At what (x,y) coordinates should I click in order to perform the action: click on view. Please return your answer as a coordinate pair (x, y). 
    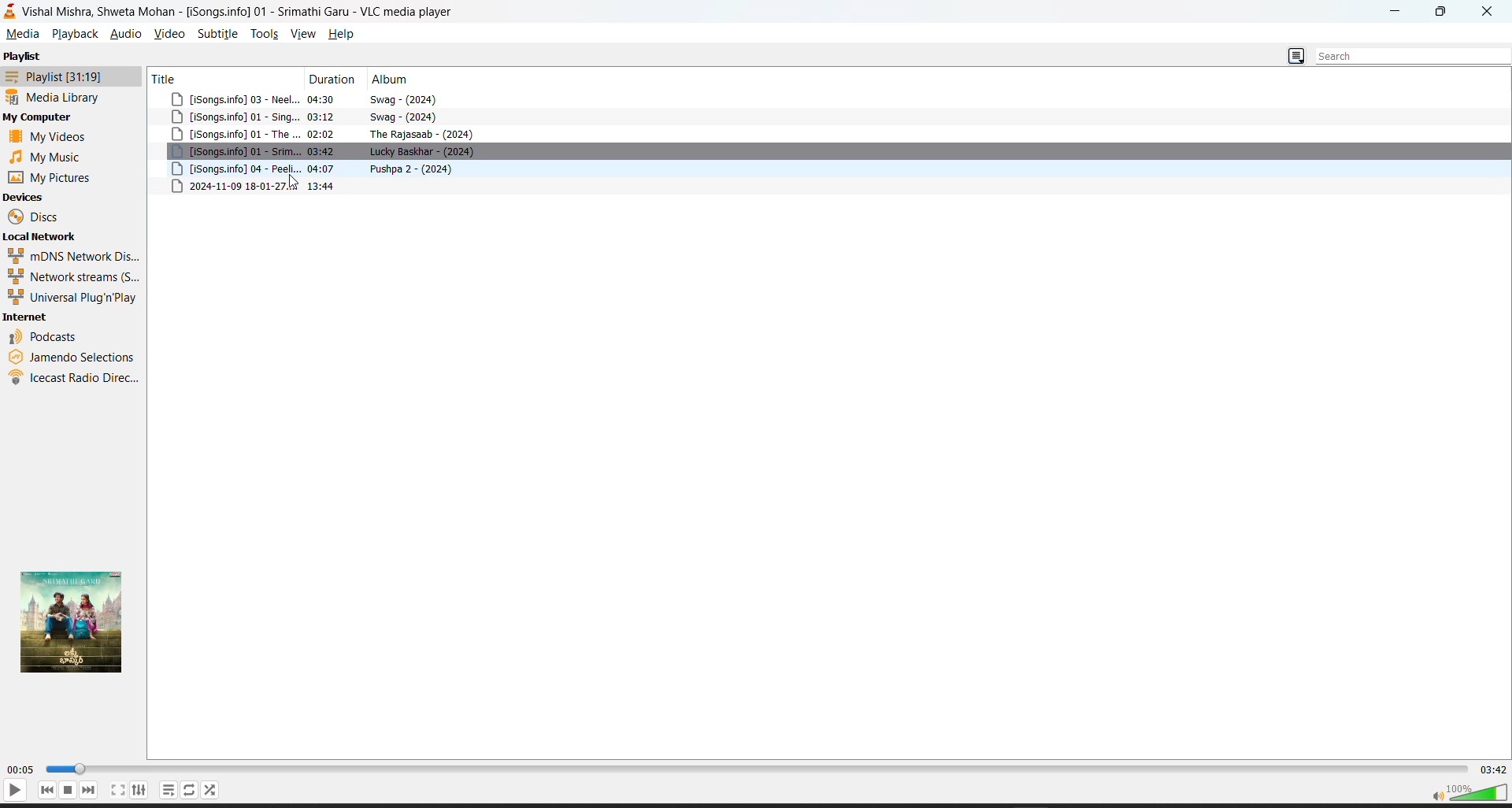
    Looking at the image, I should click on (305, 34).